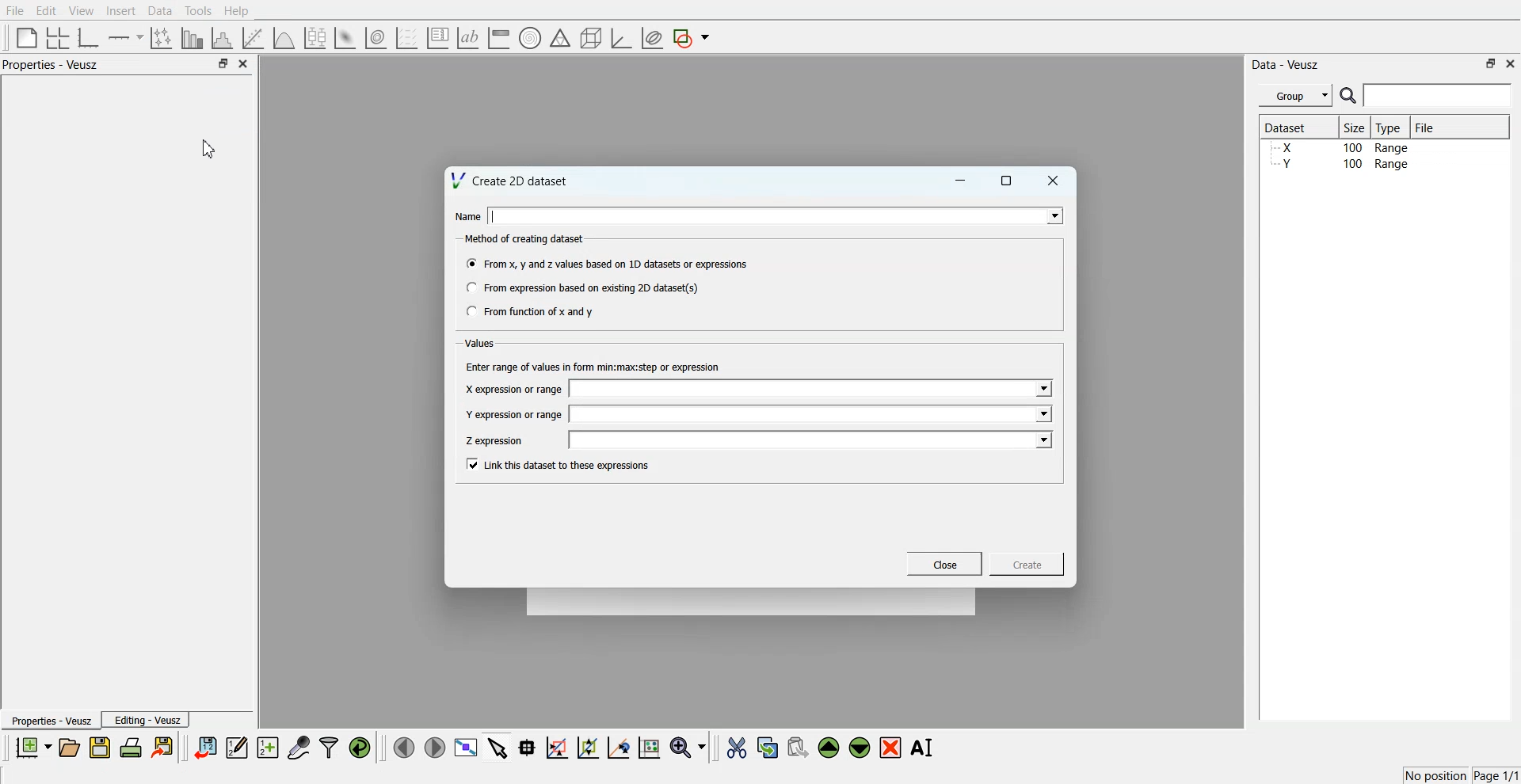 This screenshot has height=784, width=1521. What do you see at coordinates (581, 287) in the screenshot?
I see `Sl (7 From expression based on existing 2D dataset(s)` at bounding box center [581, 287].